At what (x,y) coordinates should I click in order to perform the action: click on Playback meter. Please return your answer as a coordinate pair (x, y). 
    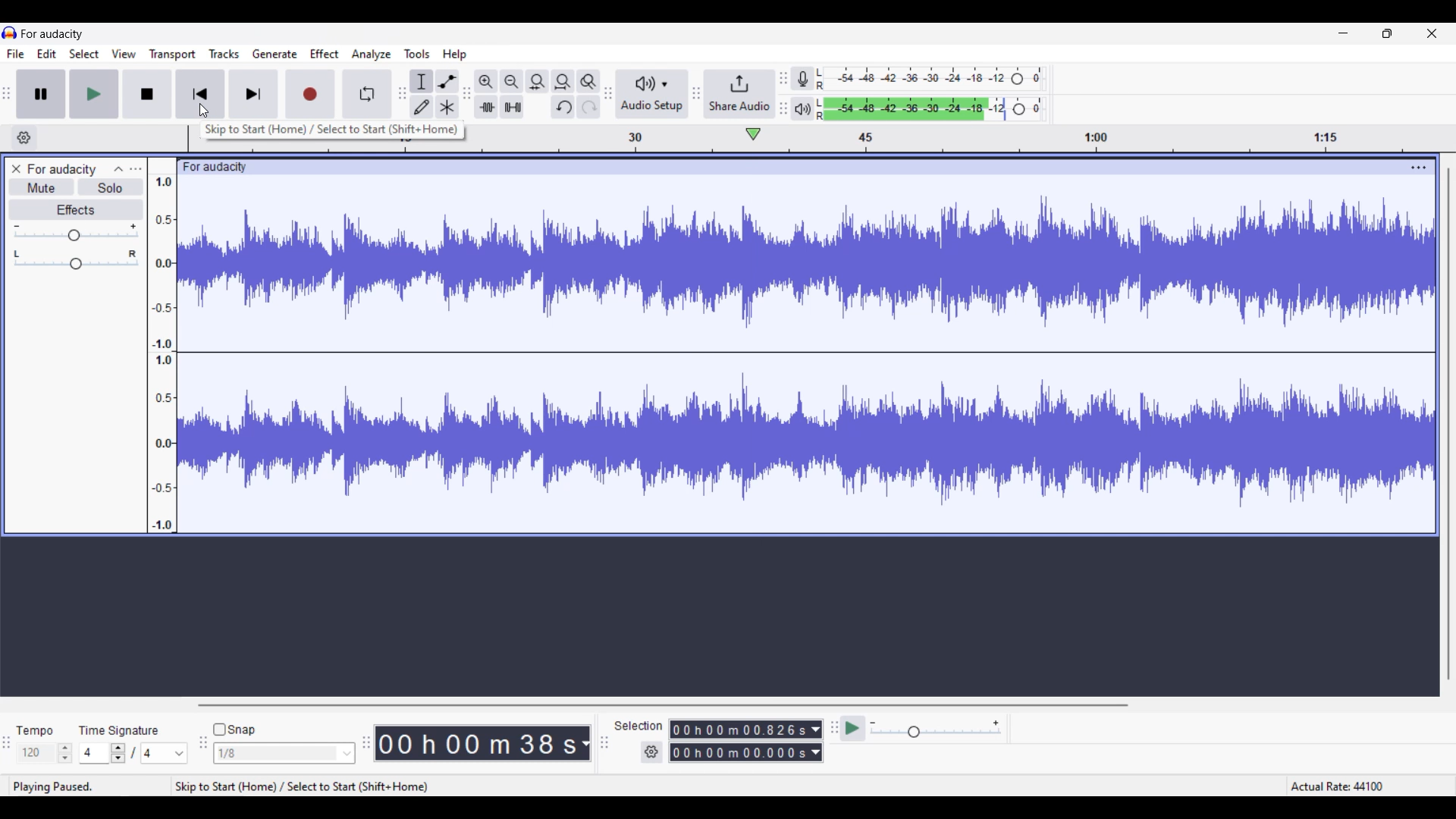
    Looking at the image, I should click on (803, 108).